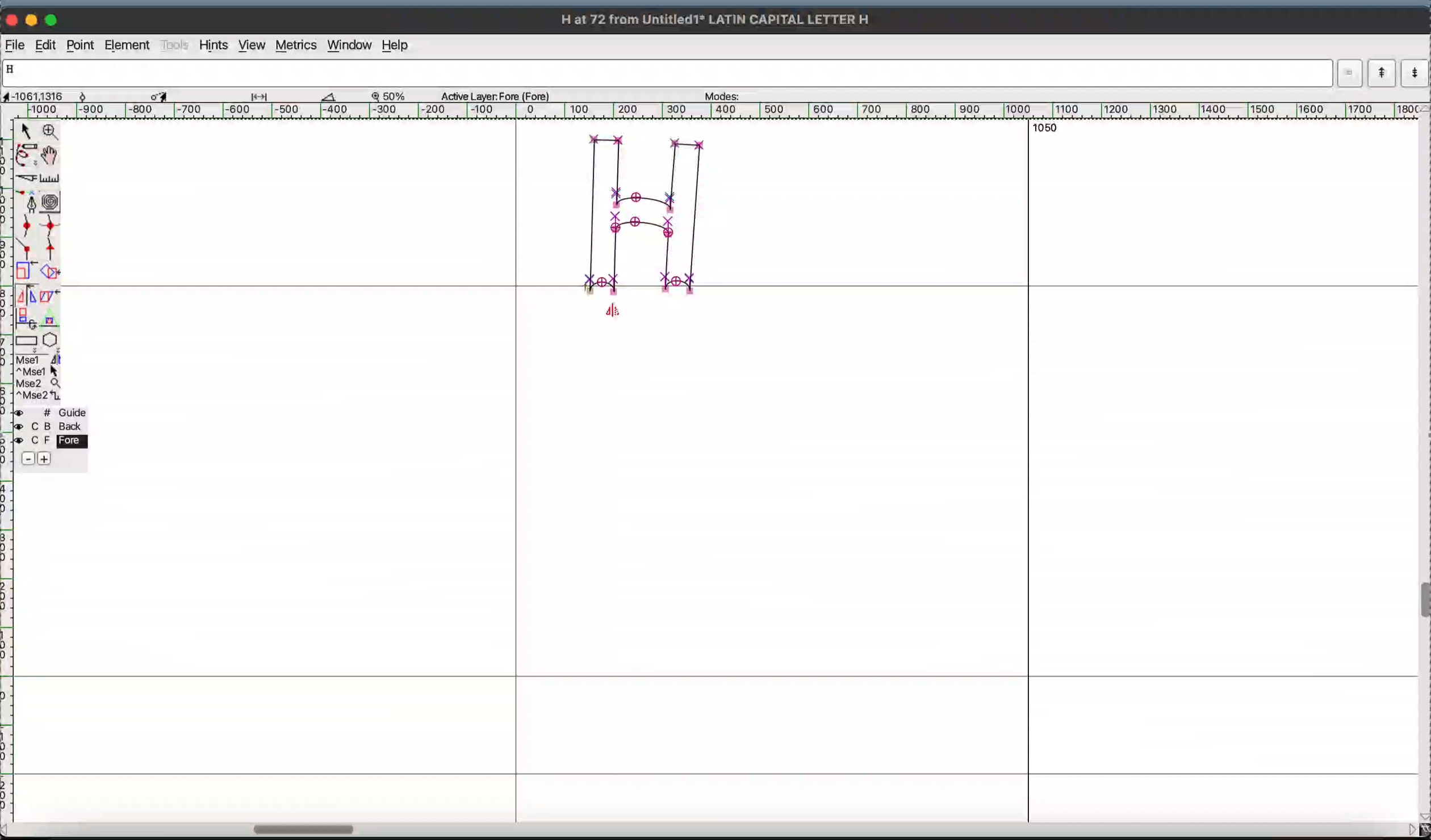 The width and height of the screenshot is (1431, 840). What do you see at coordinates (295, 44) in the screenshot?
I see `metrics` at bounding box center [295, 44].